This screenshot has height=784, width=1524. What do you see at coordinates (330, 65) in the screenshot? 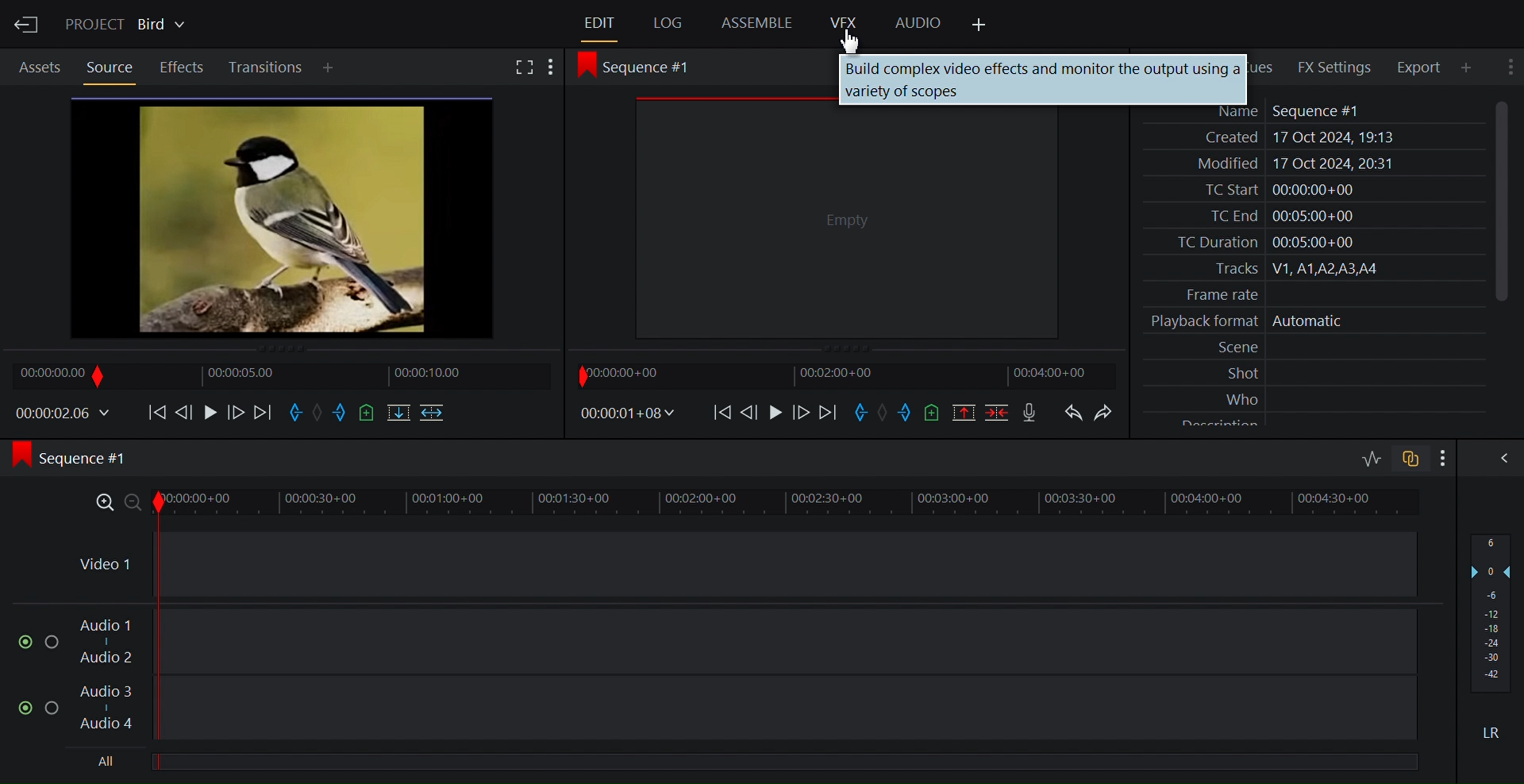
I see `Add` at bounding box center [330, 65].